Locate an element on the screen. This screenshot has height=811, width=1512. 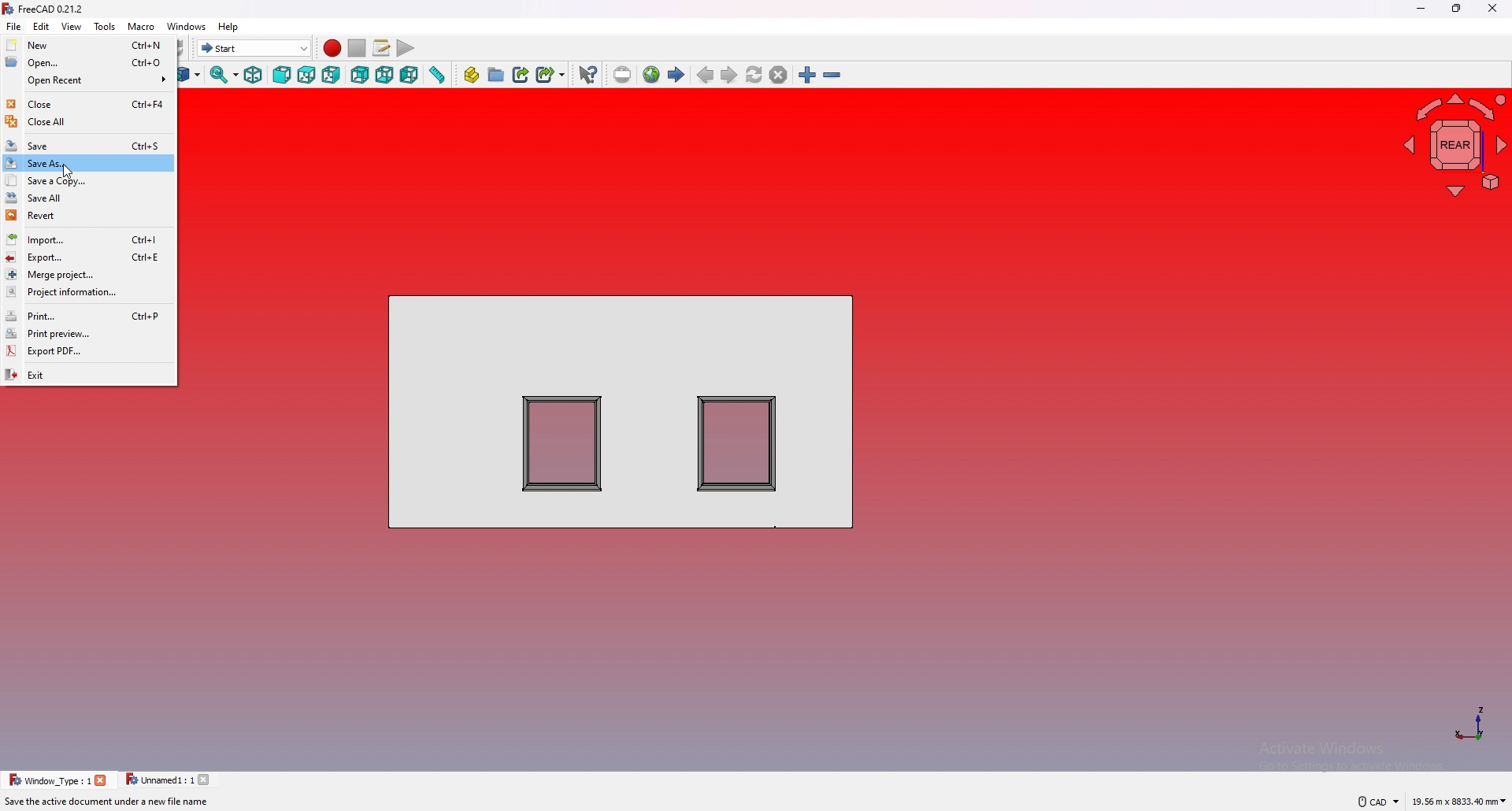
FreeCAD 0.21.2 is located at coordinates (46, 9).